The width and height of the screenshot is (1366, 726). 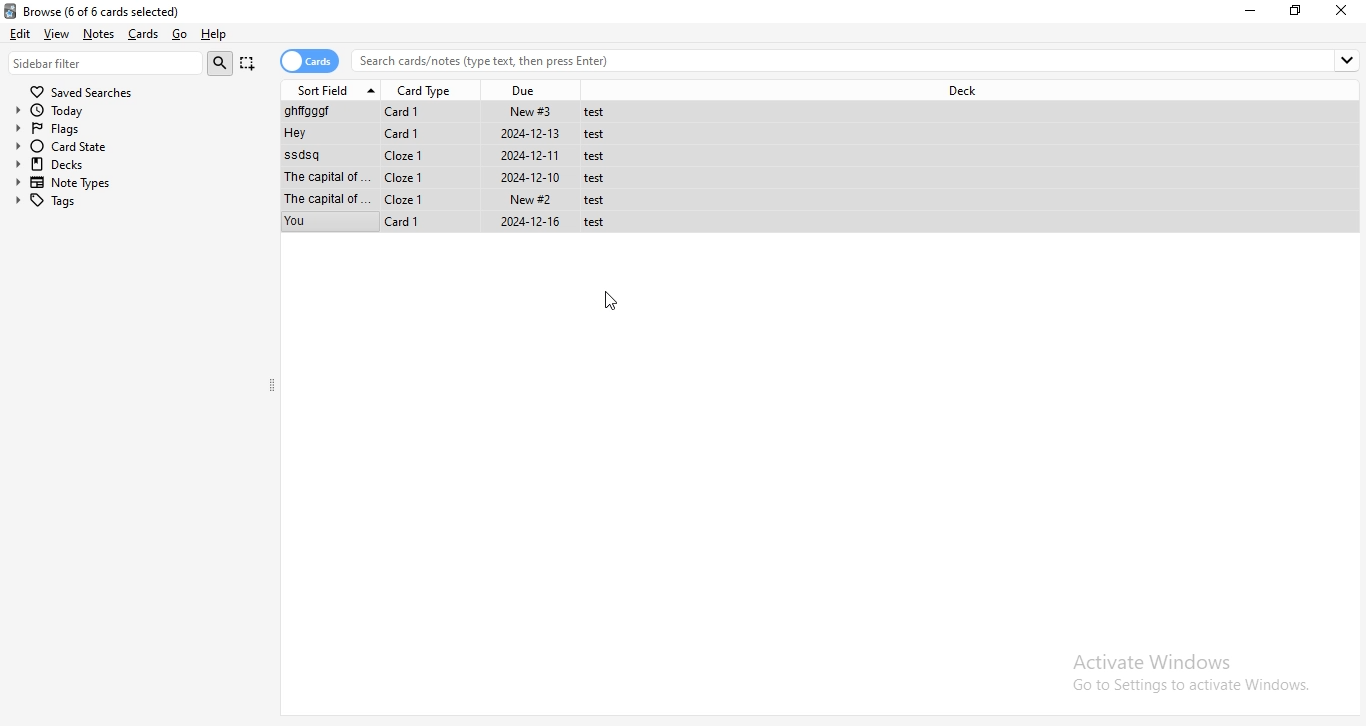 I want to click on flags, so click(x=131, y=129).